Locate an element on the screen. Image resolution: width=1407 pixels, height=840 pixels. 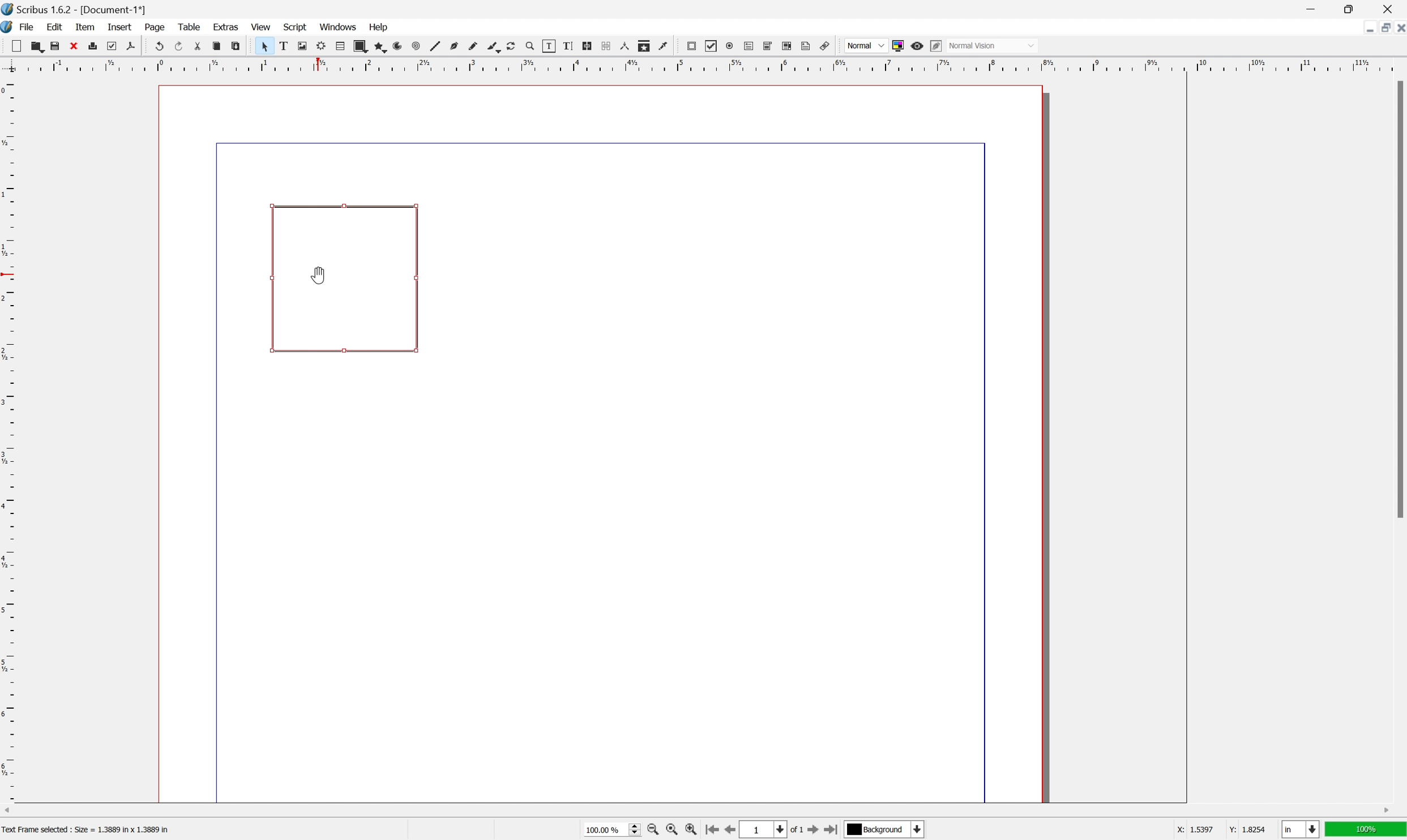
ruler is located at coordinates (701, 64).